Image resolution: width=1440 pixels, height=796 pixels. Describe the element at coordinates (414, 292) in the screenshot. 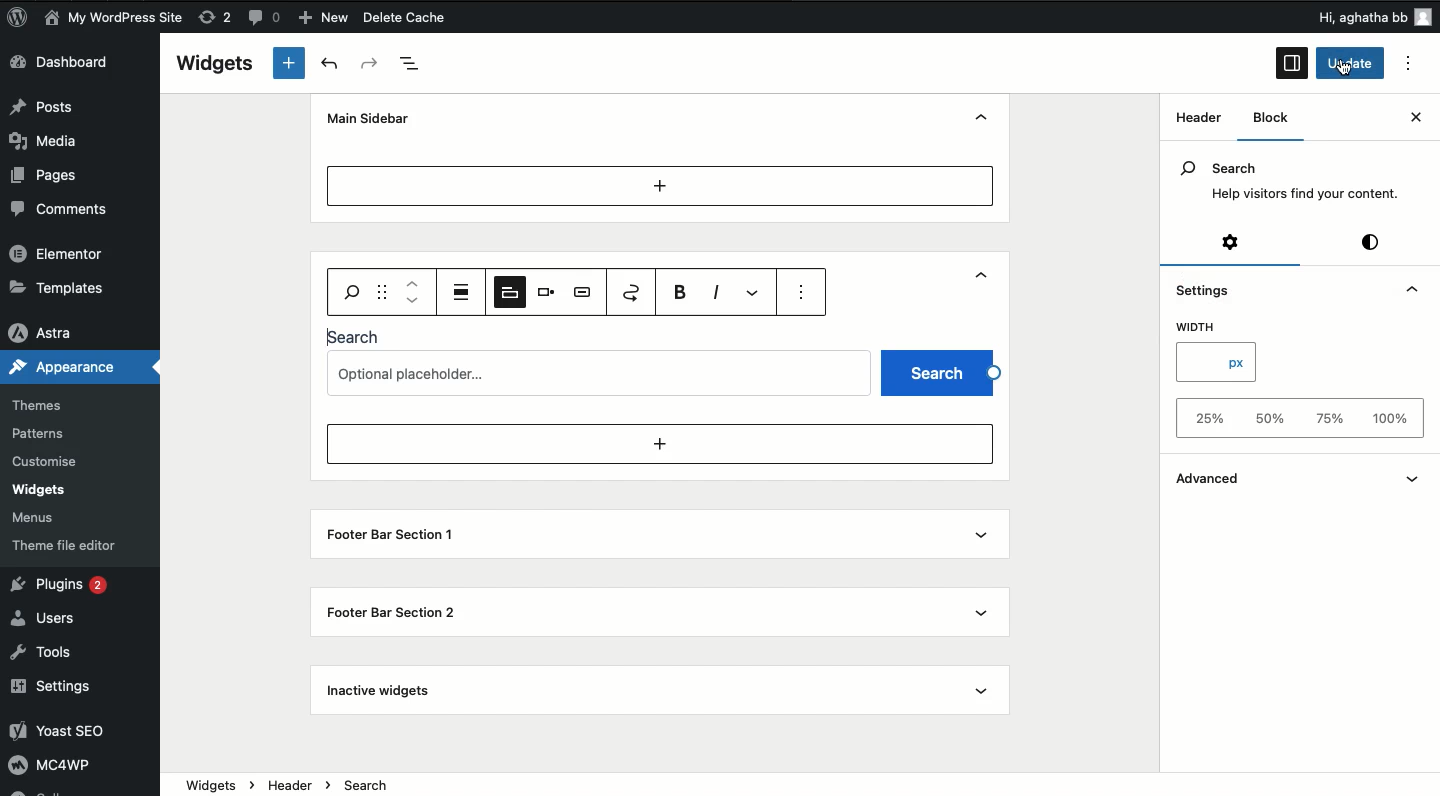

I see `Move up down` at that location.